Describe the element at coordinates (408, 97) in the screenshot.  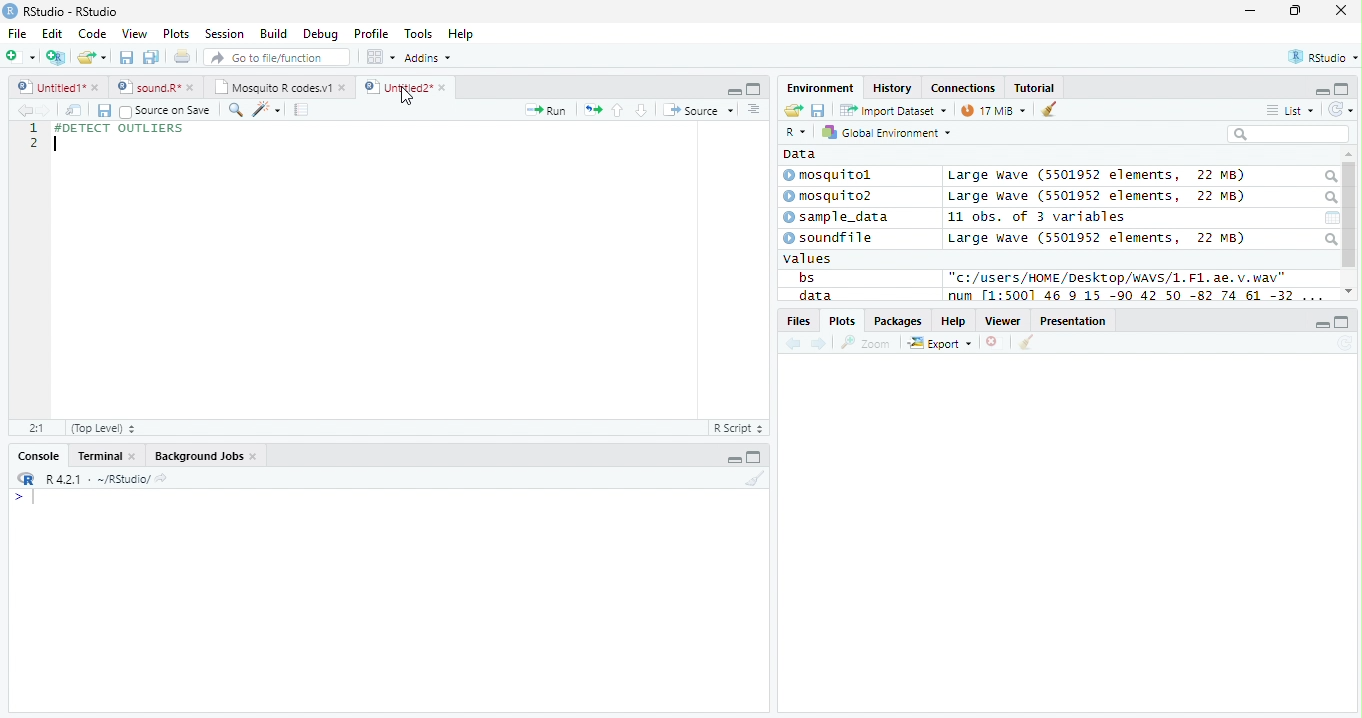
I see `cursor` at that location.